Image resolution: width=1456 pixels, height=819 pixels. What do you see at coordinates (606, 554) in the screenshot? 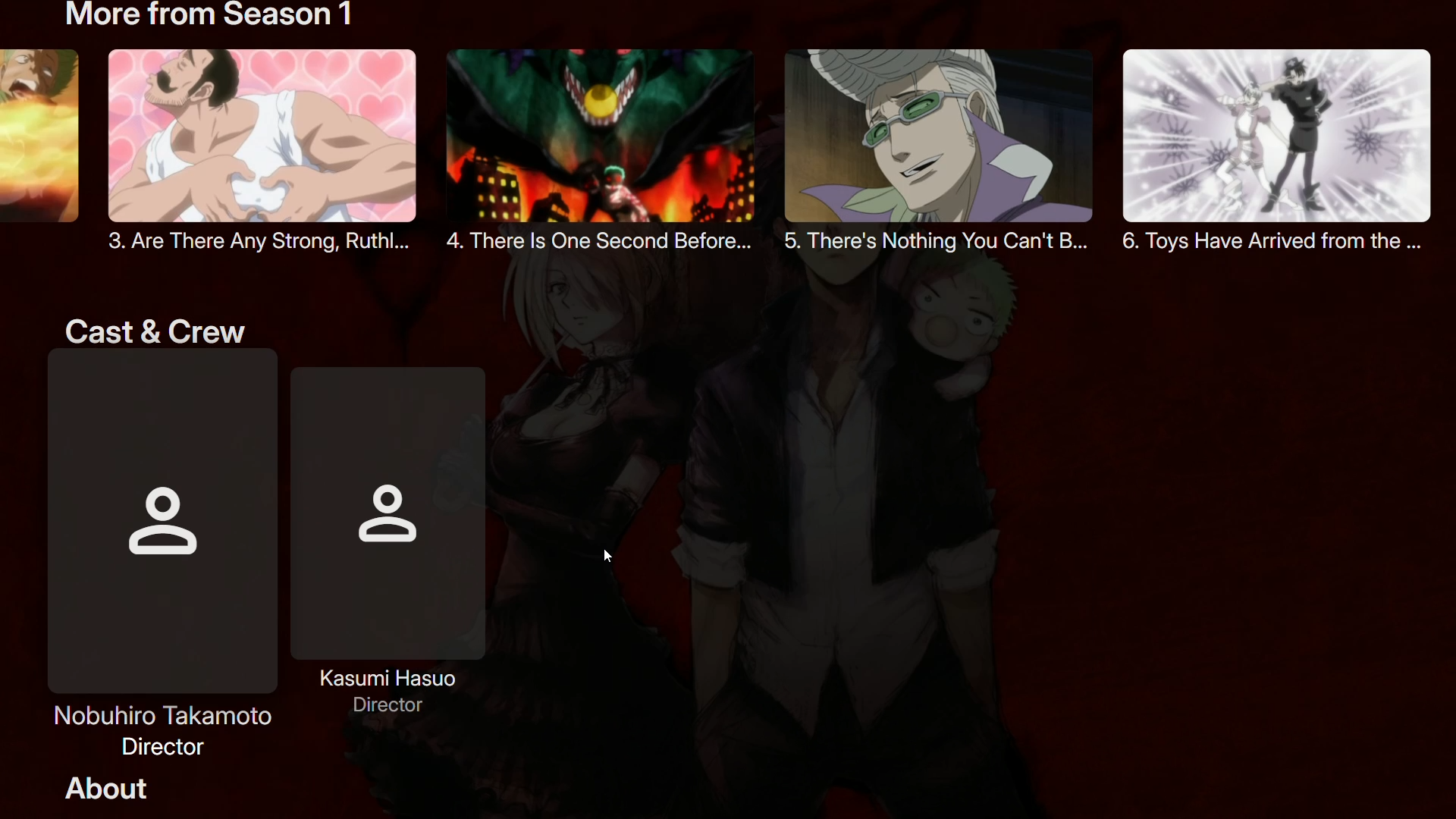
I see `Cursor` at bounding box center [606, 554].